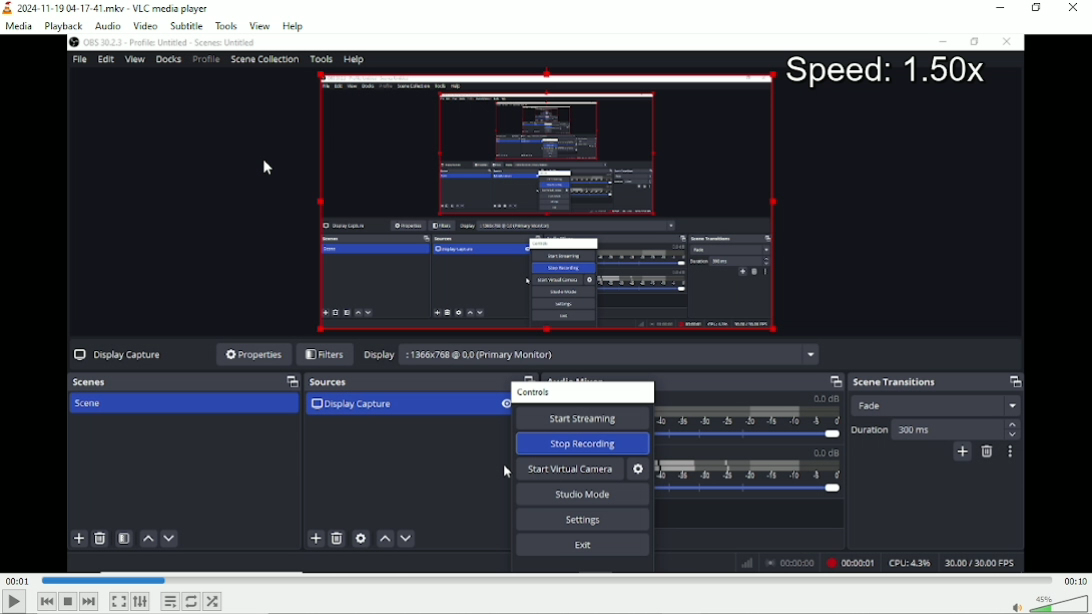  Describe the element at coordinates (170, 601) in the screenshot. I see `Toggle playlist` at that location.